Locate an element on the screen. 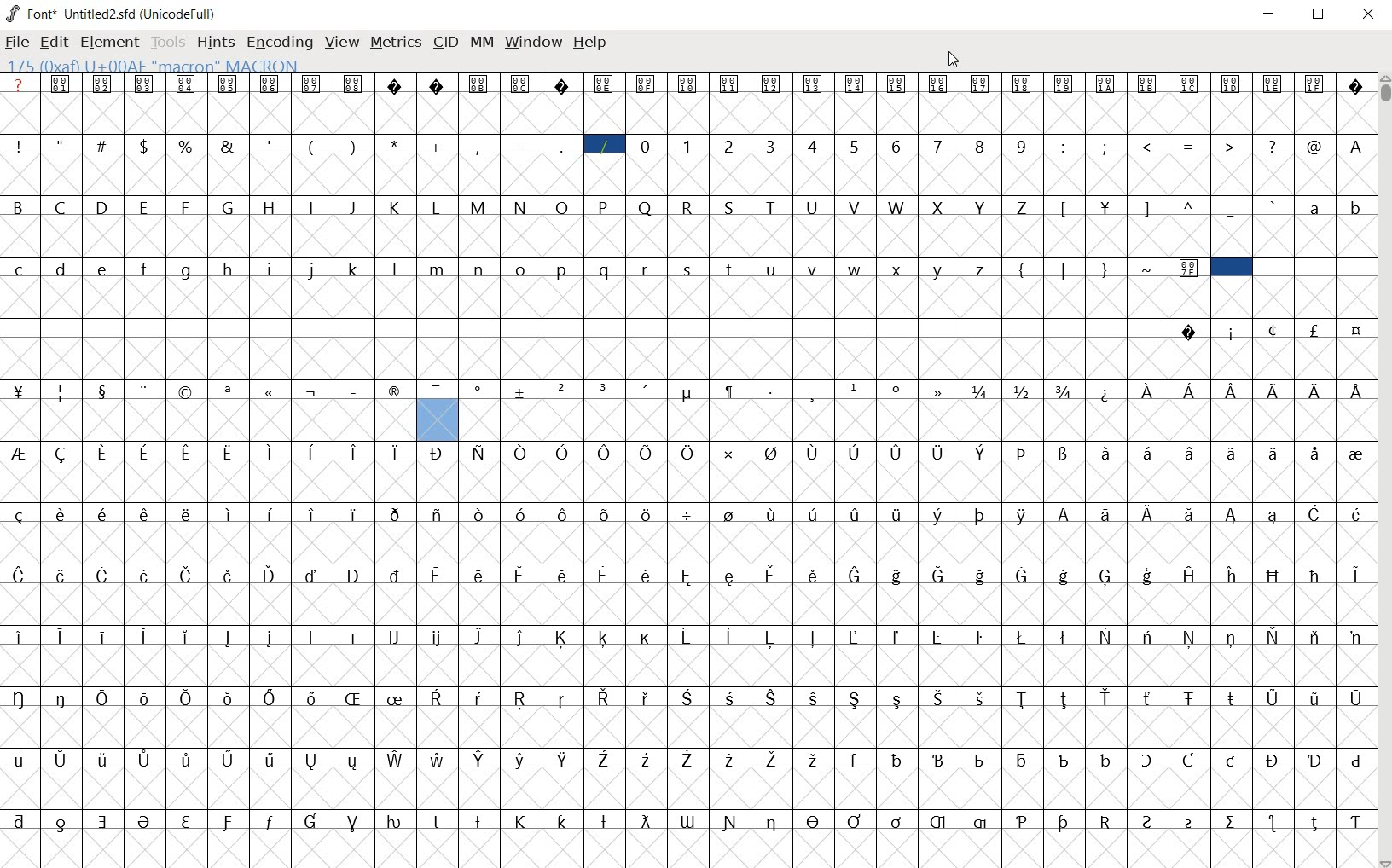 This screenshot has width=1392, height=868. Symbol is located at coordinates (357, 761).